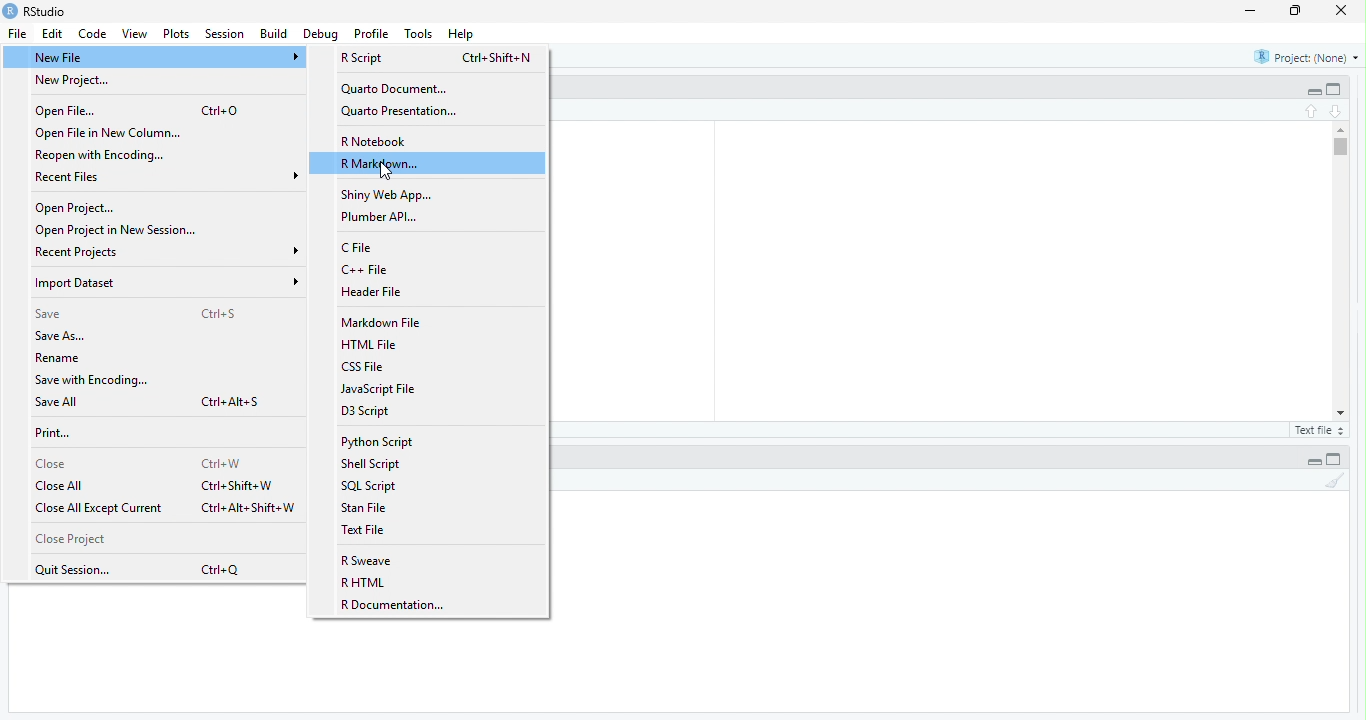  I want to click on Session, so click(227, 34).